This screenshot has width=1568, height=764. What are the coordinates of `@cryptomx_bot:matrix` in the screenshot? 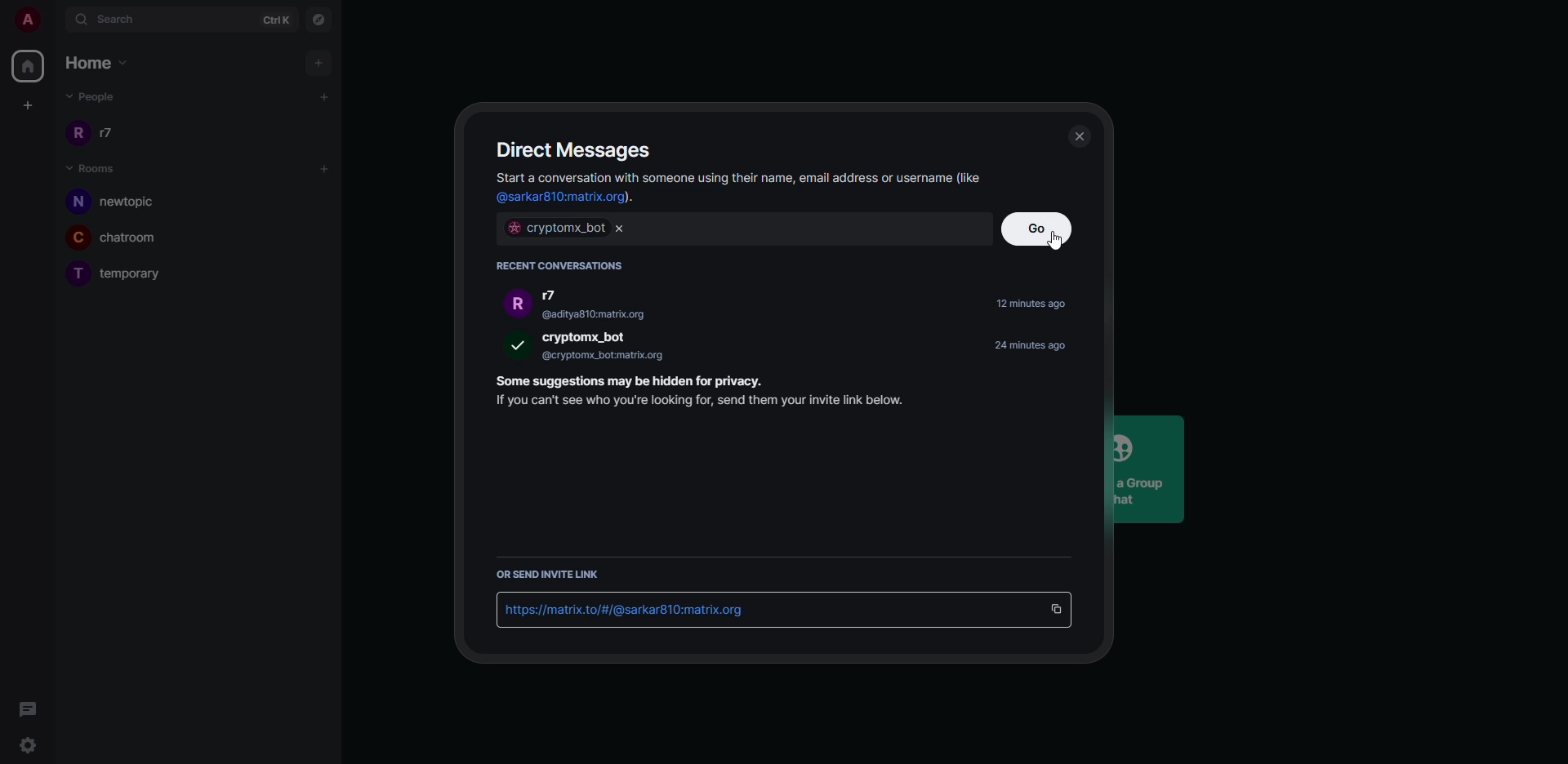 It's located at (599, 357).